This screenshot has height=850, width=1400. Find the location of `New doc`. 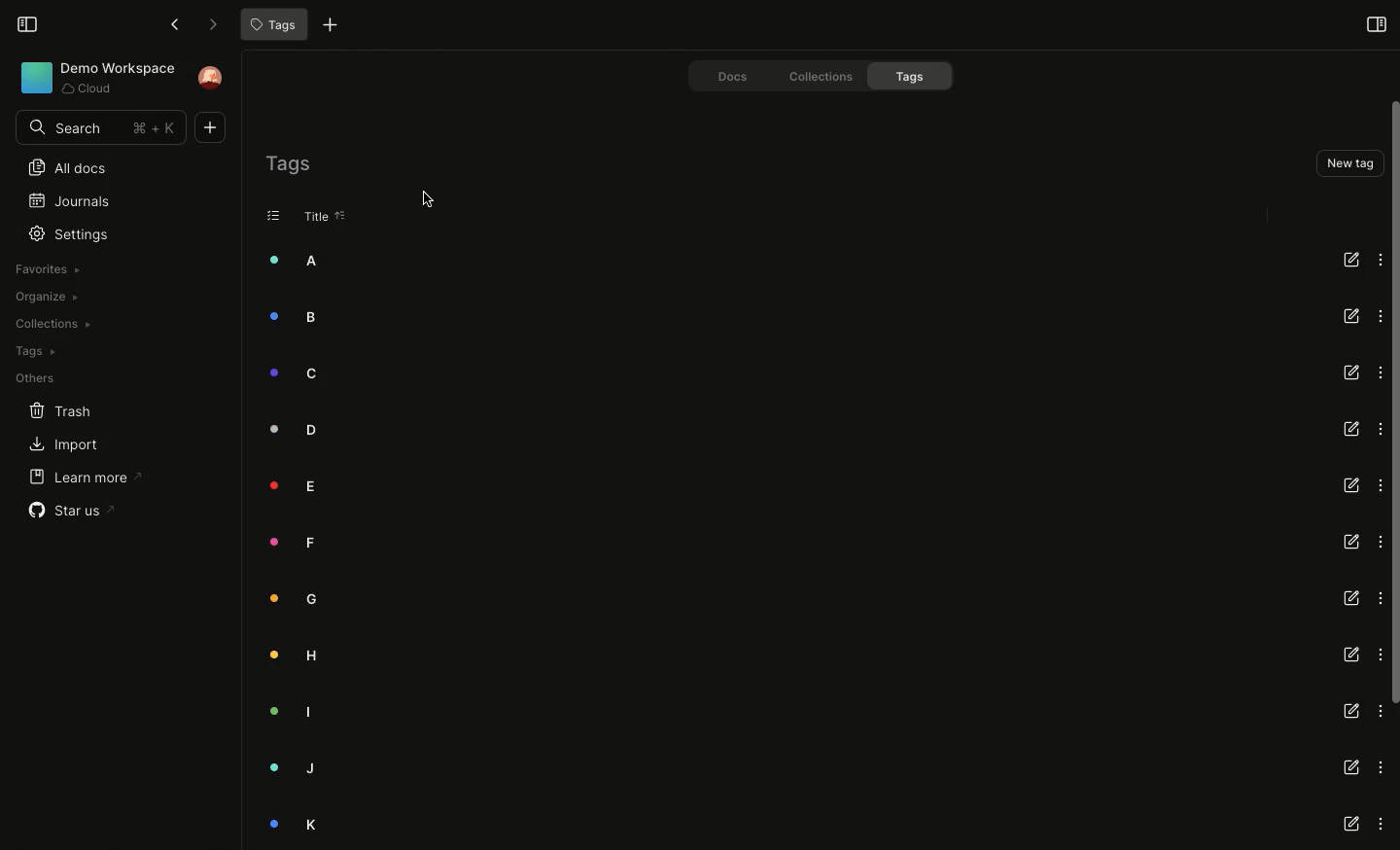

New doc is located at coordinates (214, 127).